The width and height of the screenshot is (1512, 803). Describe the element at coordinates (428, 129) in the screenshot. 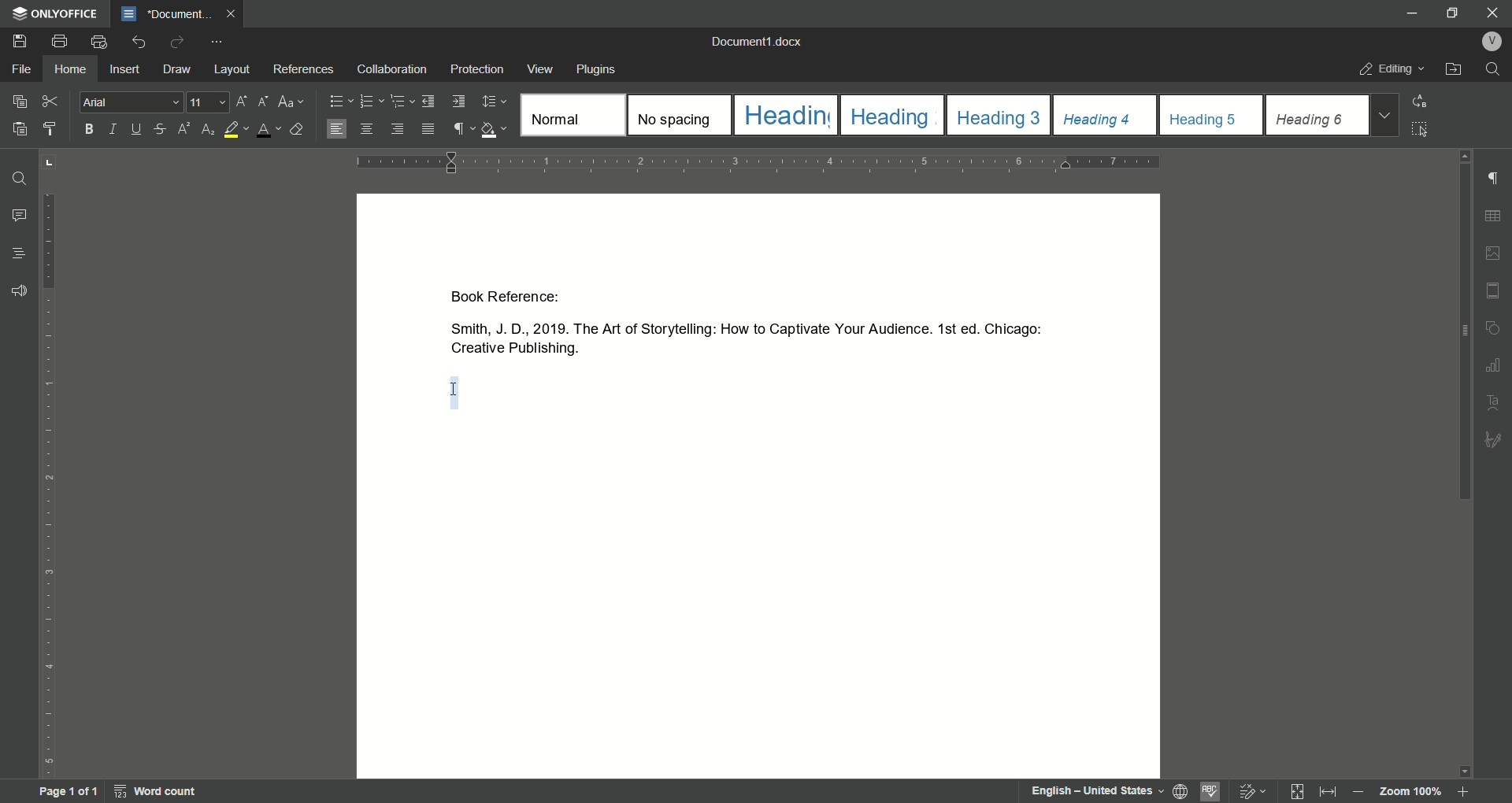

I see `justified` at that location.